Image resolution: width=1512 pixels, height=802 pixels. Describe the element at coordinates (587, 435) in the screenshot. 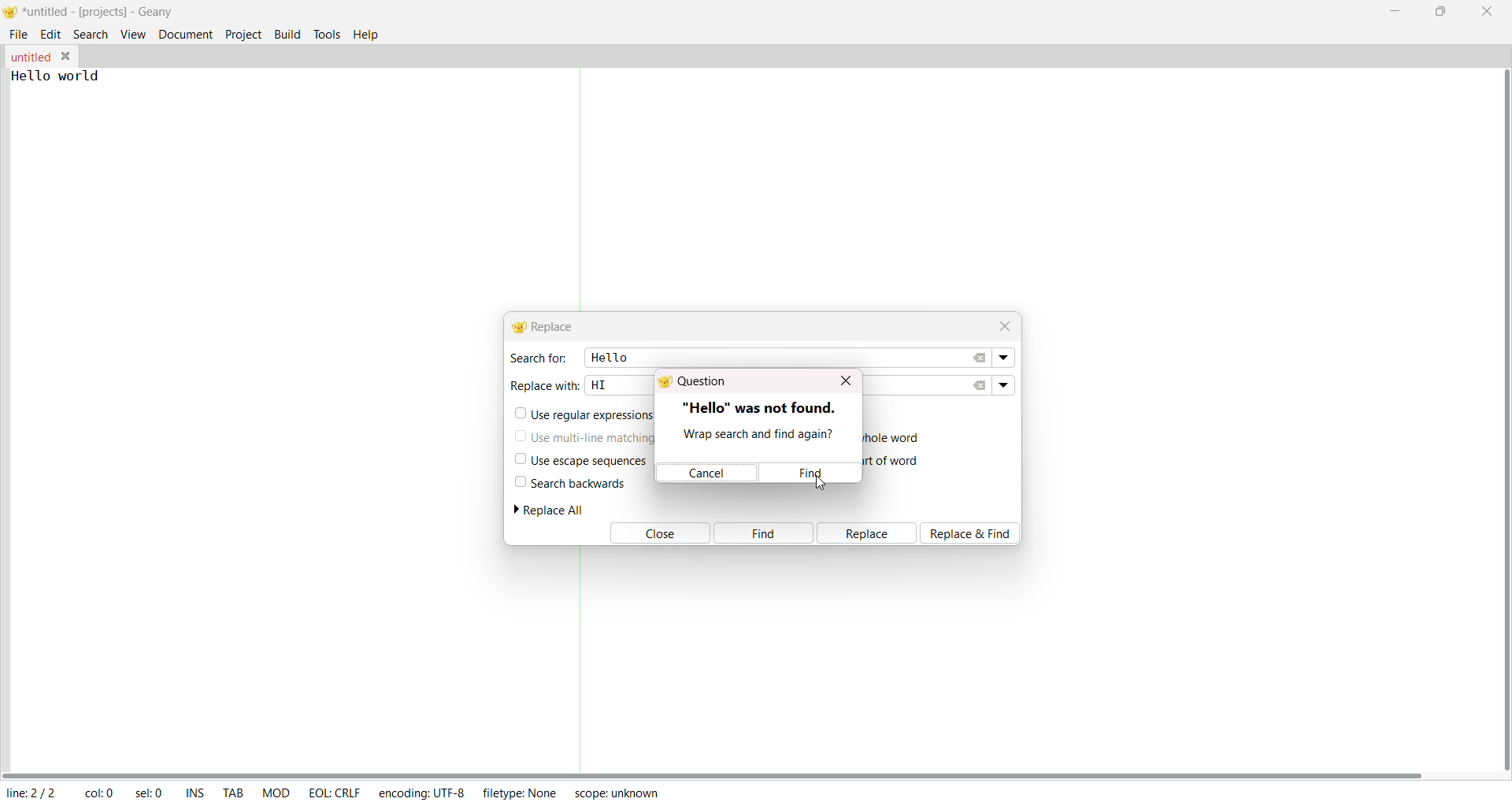

I see `use multi line matching` at that location.